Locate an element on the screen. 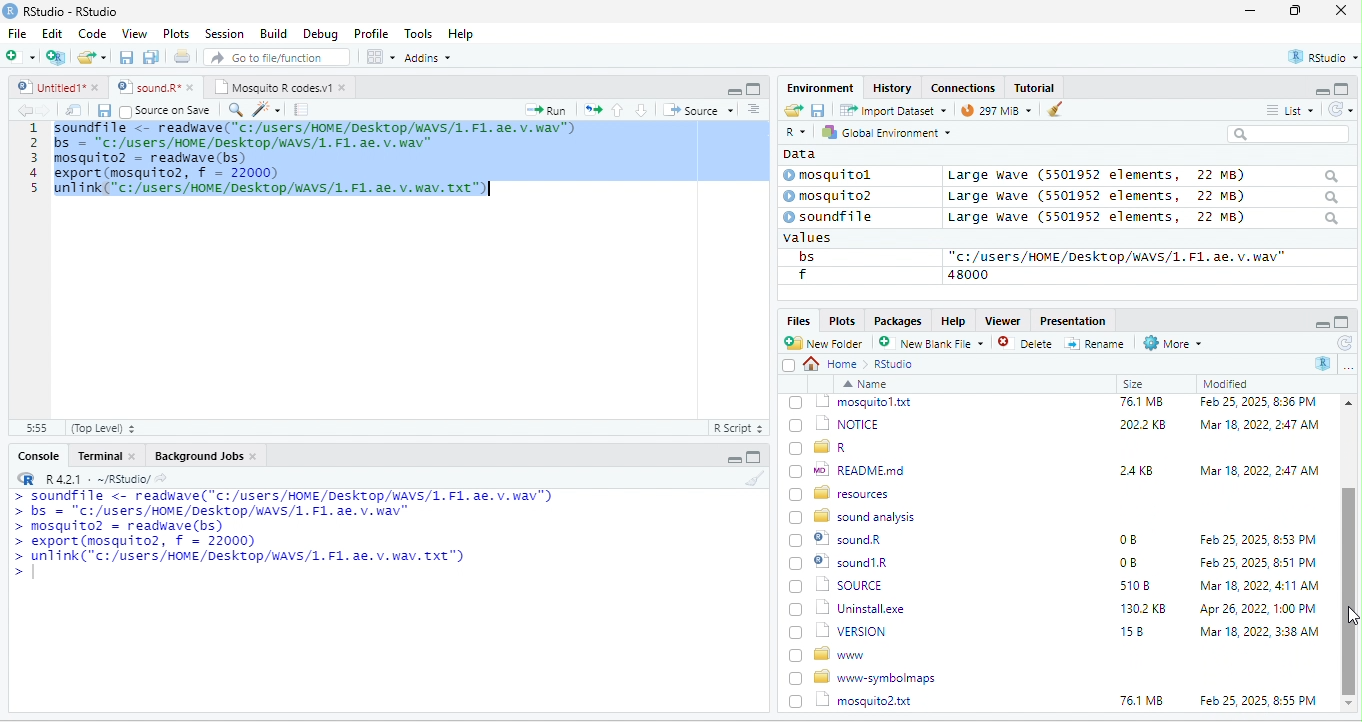  © mosquito? is located at coordinates (834, 194).